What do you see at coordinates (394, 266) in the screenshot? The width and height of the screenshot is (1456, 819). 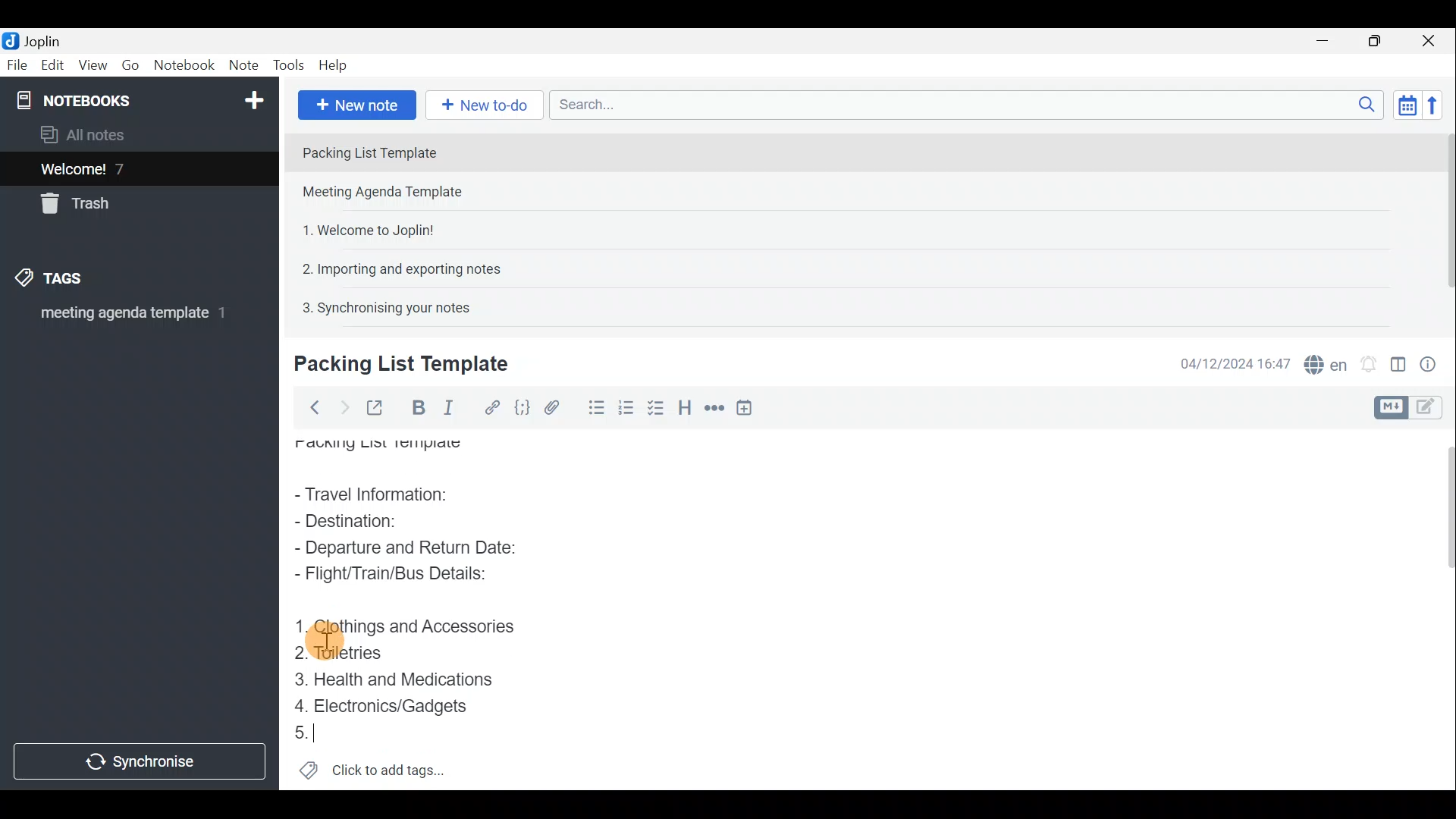 I see `Note 4` at bounding box center [394, 266].